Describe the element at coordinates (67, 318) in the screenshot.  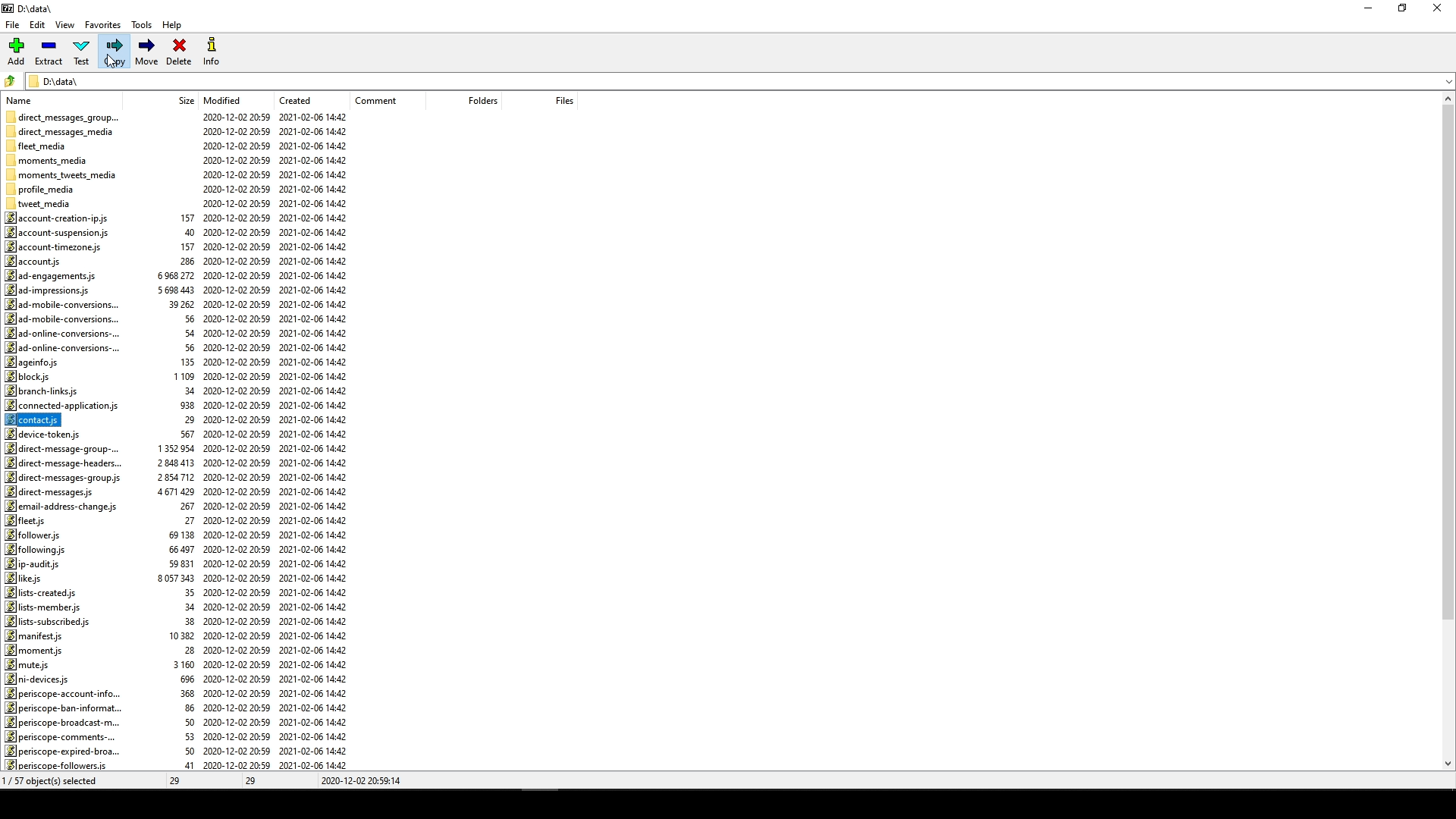
I see `ad-mobile-conversions` at that location.